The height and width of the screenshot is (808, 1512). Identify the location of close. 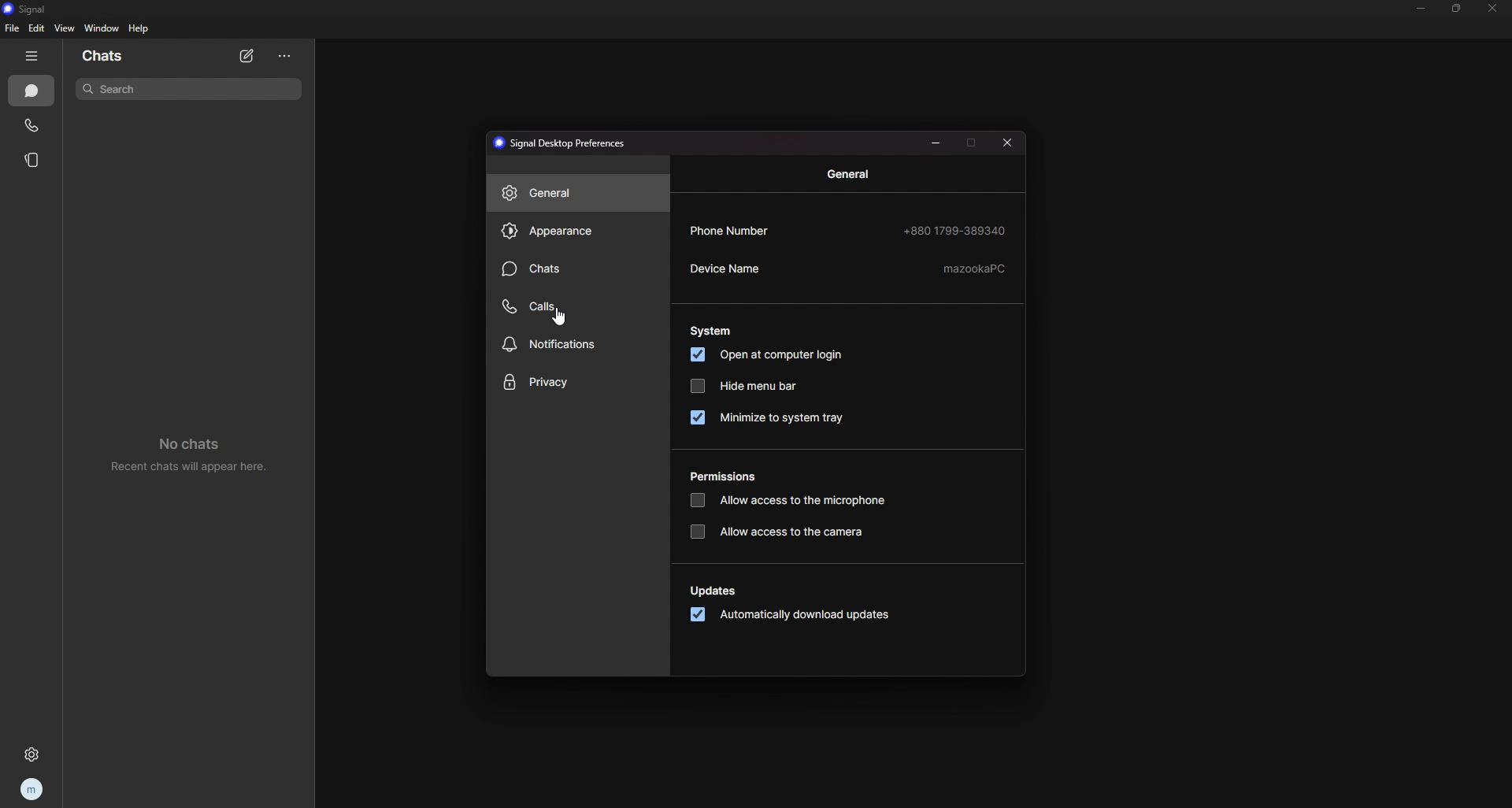
(1010, 145).